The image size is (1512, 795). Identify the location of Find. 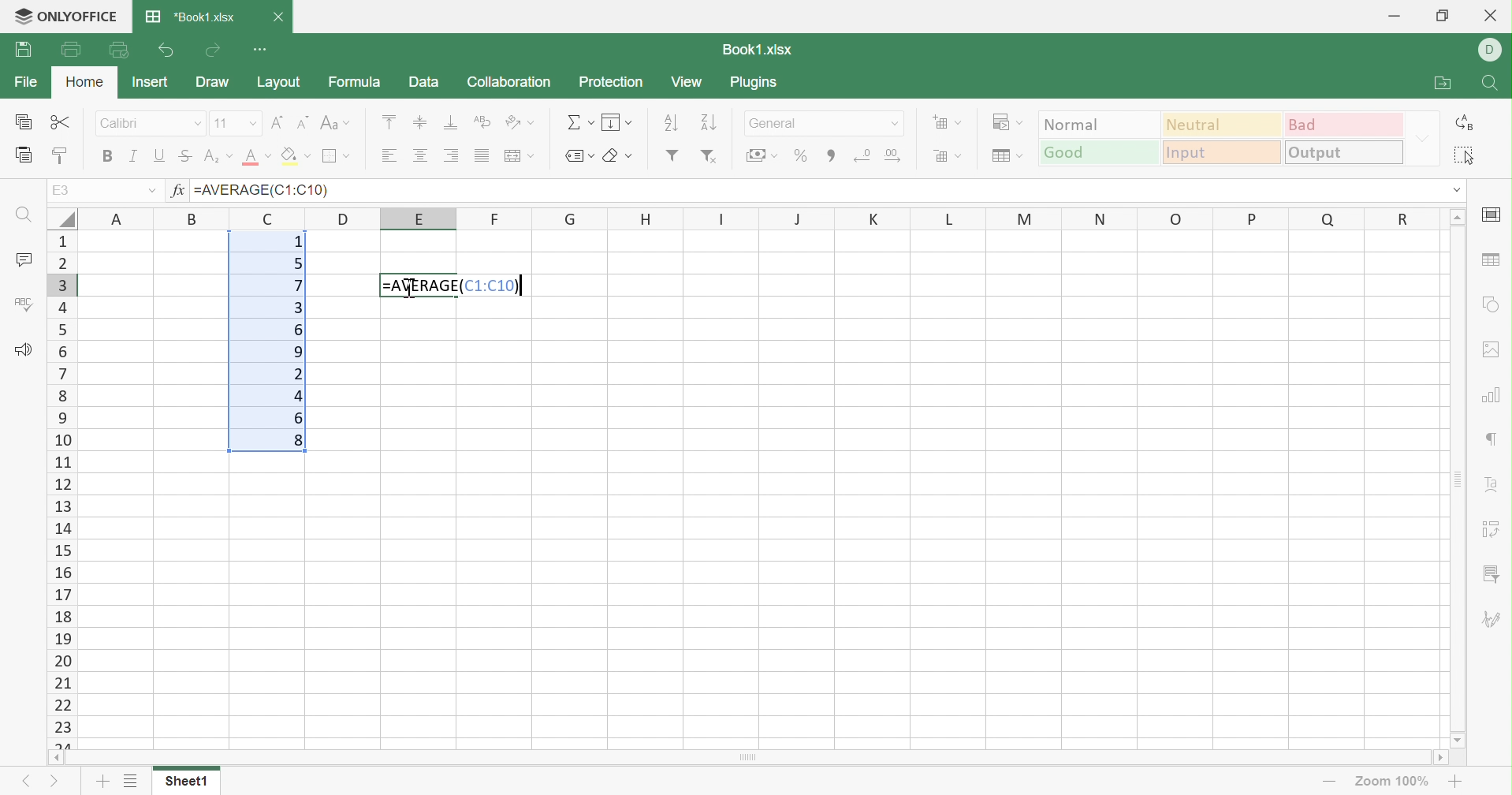
(21, 216).